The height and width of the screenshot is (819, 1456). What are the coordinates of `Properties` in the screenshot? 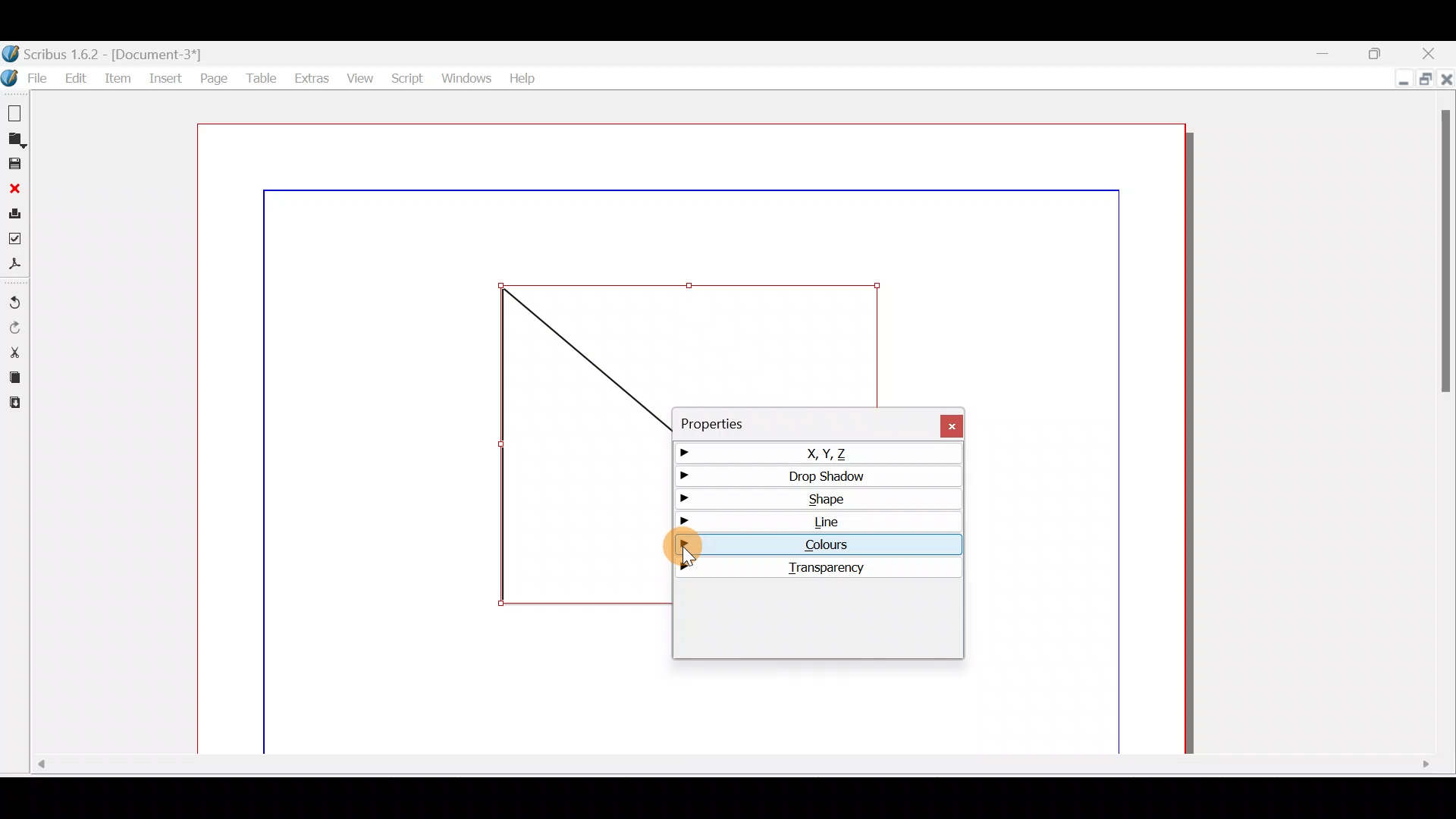 It's located at (745, 421).